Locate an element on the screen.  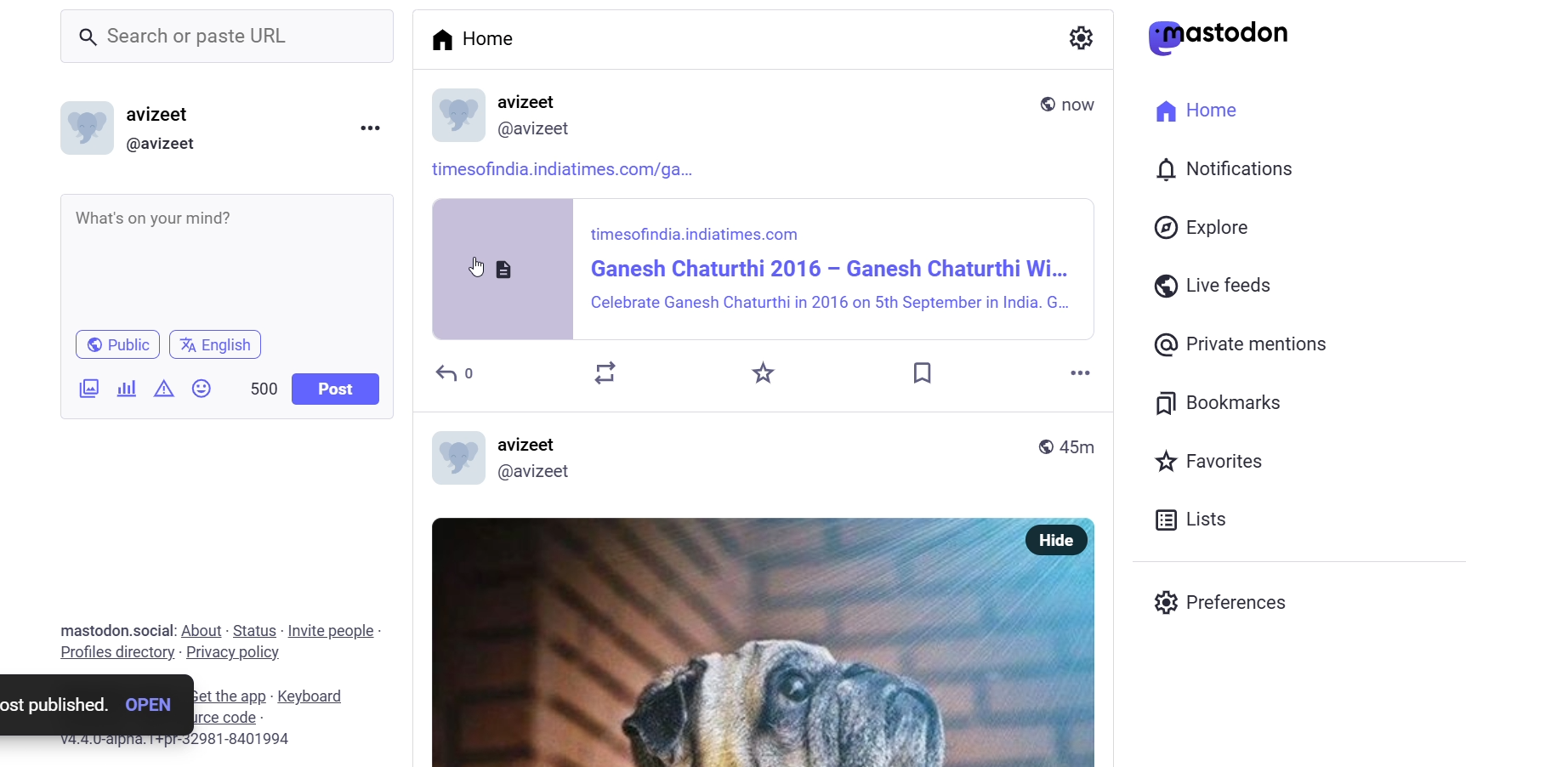
 English is located at coordinates (219, 343).